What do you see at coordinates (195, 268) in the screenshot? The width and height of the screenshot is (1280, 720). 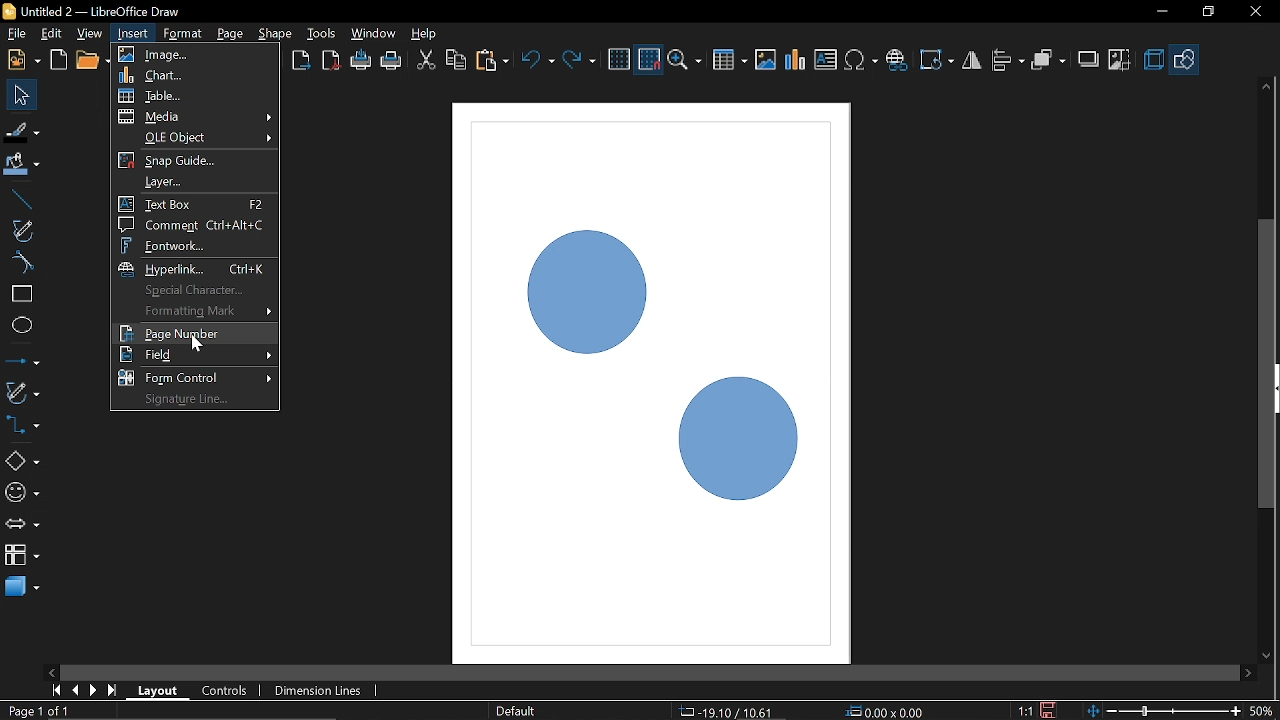 I see `Hyperlink` at bounding box center [195, 268].